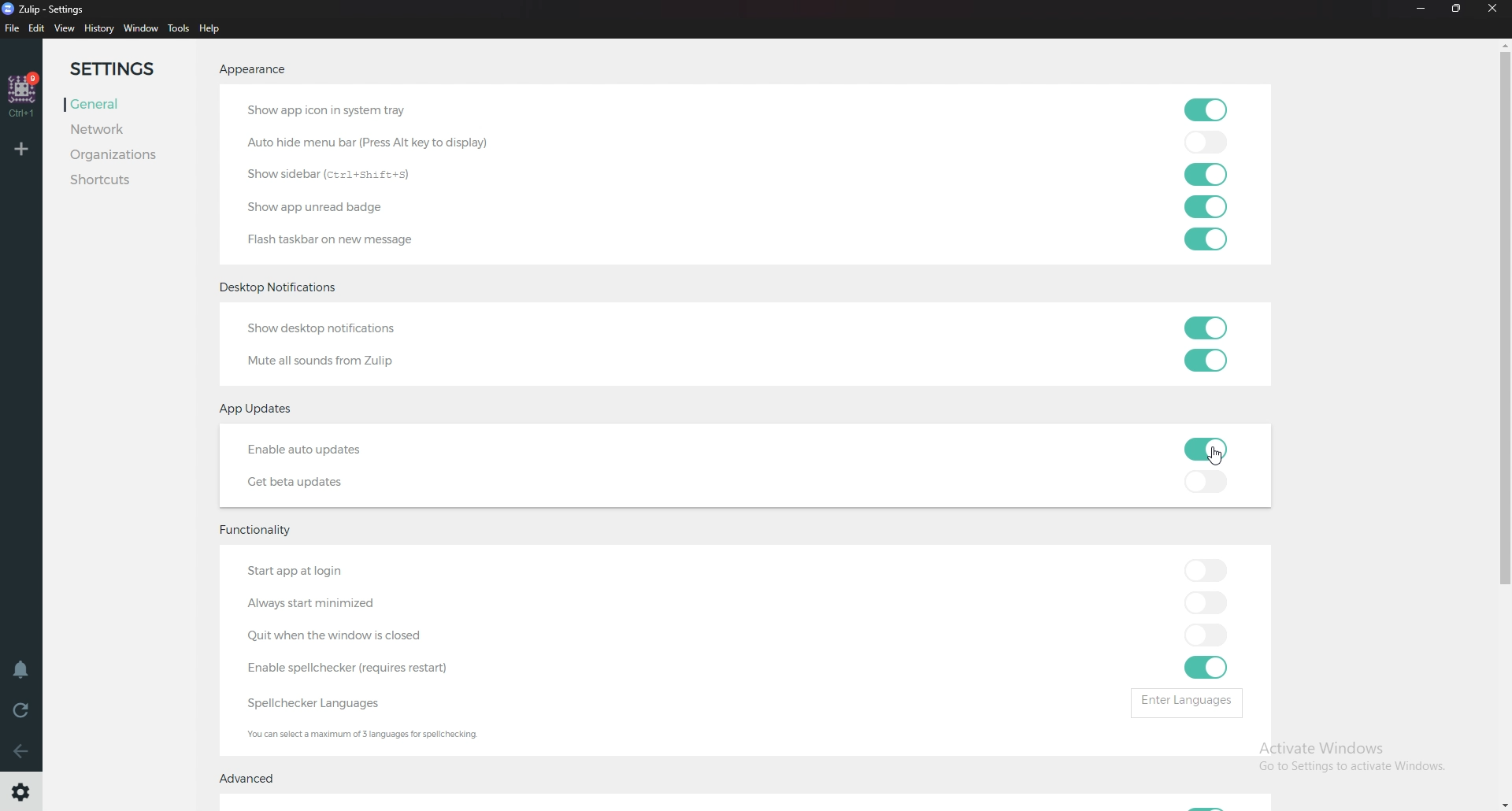  What do you see at coordinates (1203, 569) in the screenshot?
I see `toggle` at bounding box center [1203, 569].